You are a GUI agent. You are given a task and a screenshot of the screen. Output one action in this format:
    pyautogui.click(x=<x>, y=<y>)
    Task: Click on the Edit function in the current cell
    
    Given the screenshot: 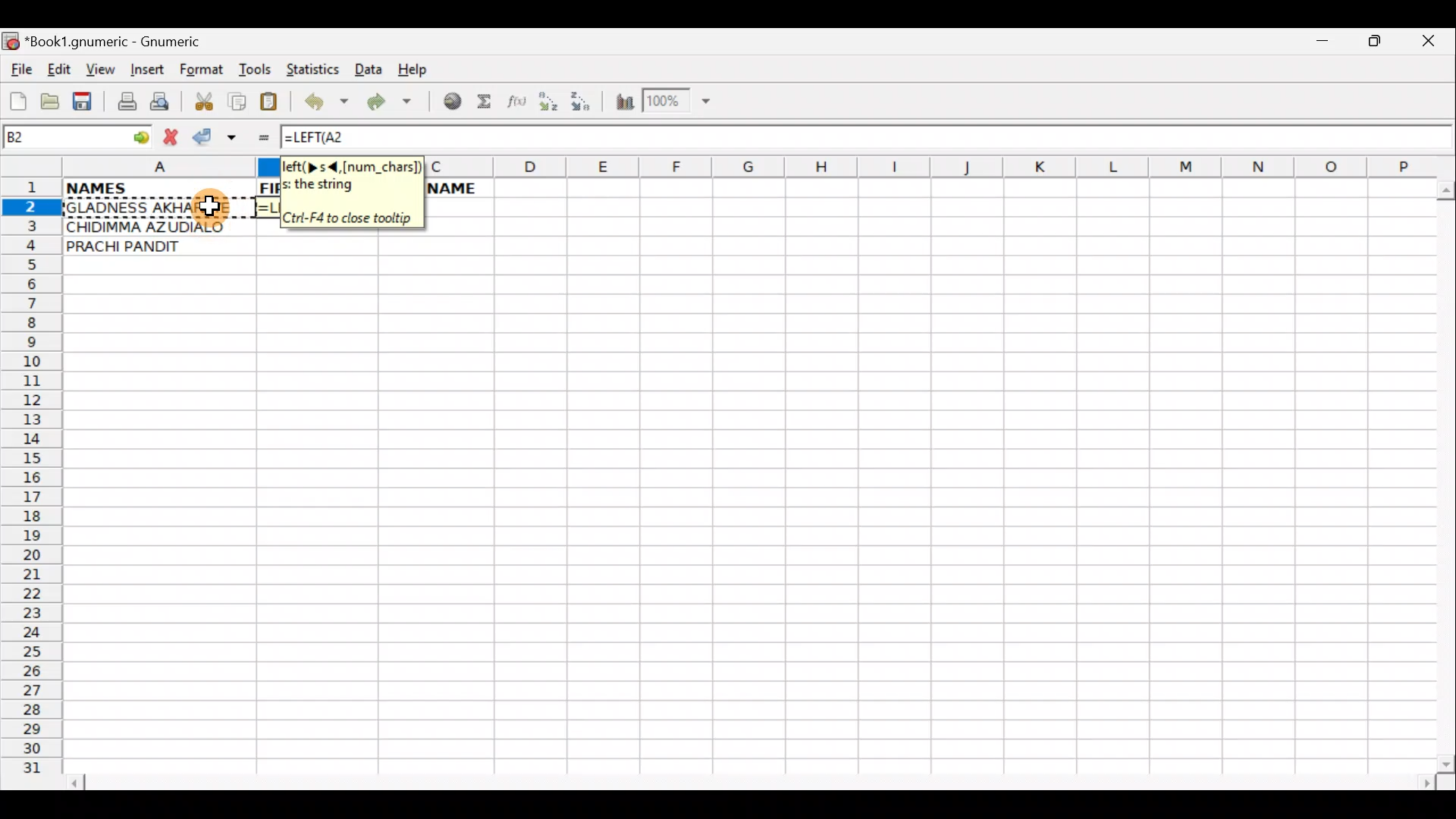 What is the action you would take?
    pyautogui.click(x=519, y=105)
    